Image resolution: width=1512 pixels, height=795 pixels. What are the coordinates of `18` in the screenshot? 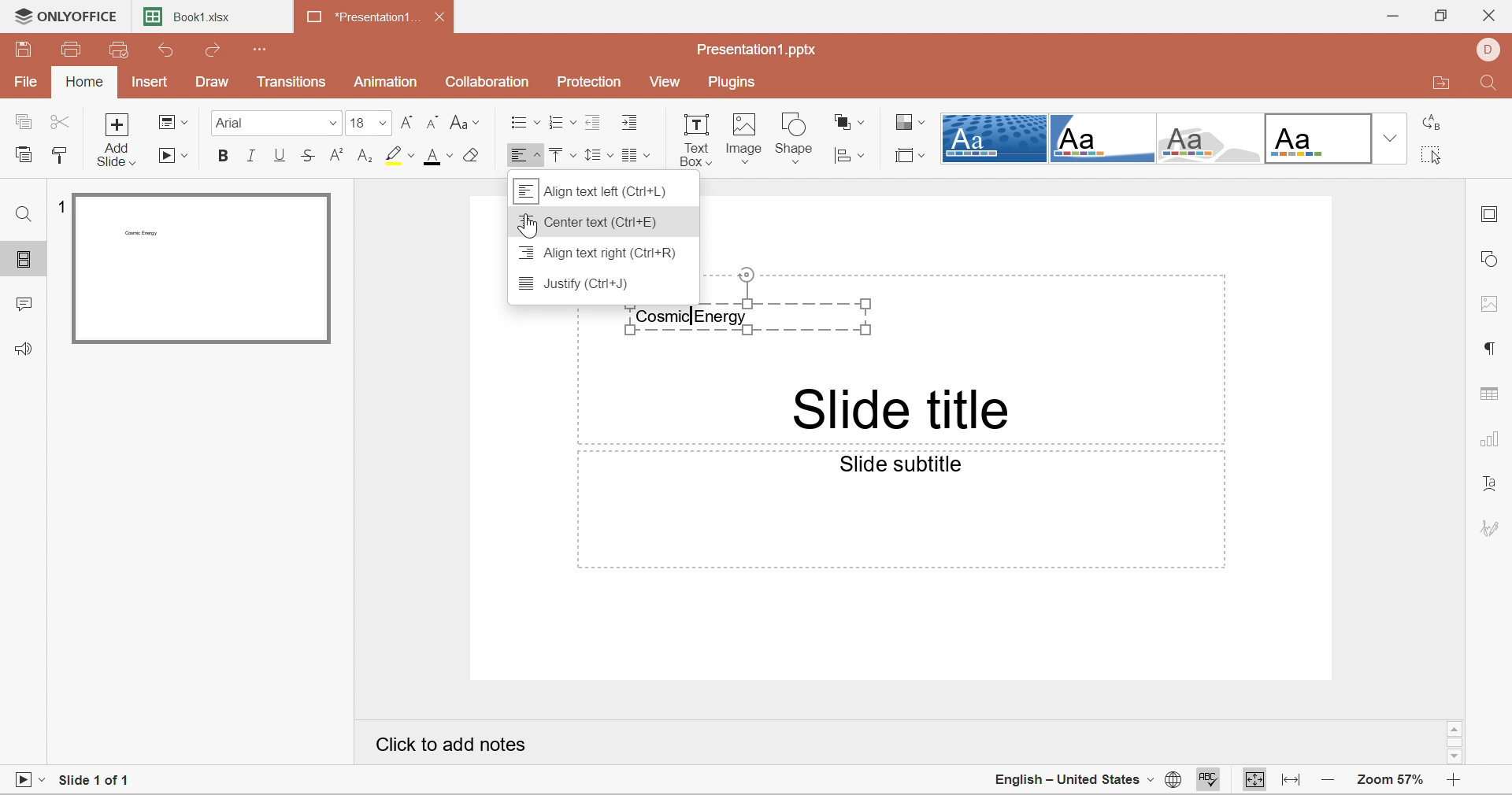 It's located at (367, 123).